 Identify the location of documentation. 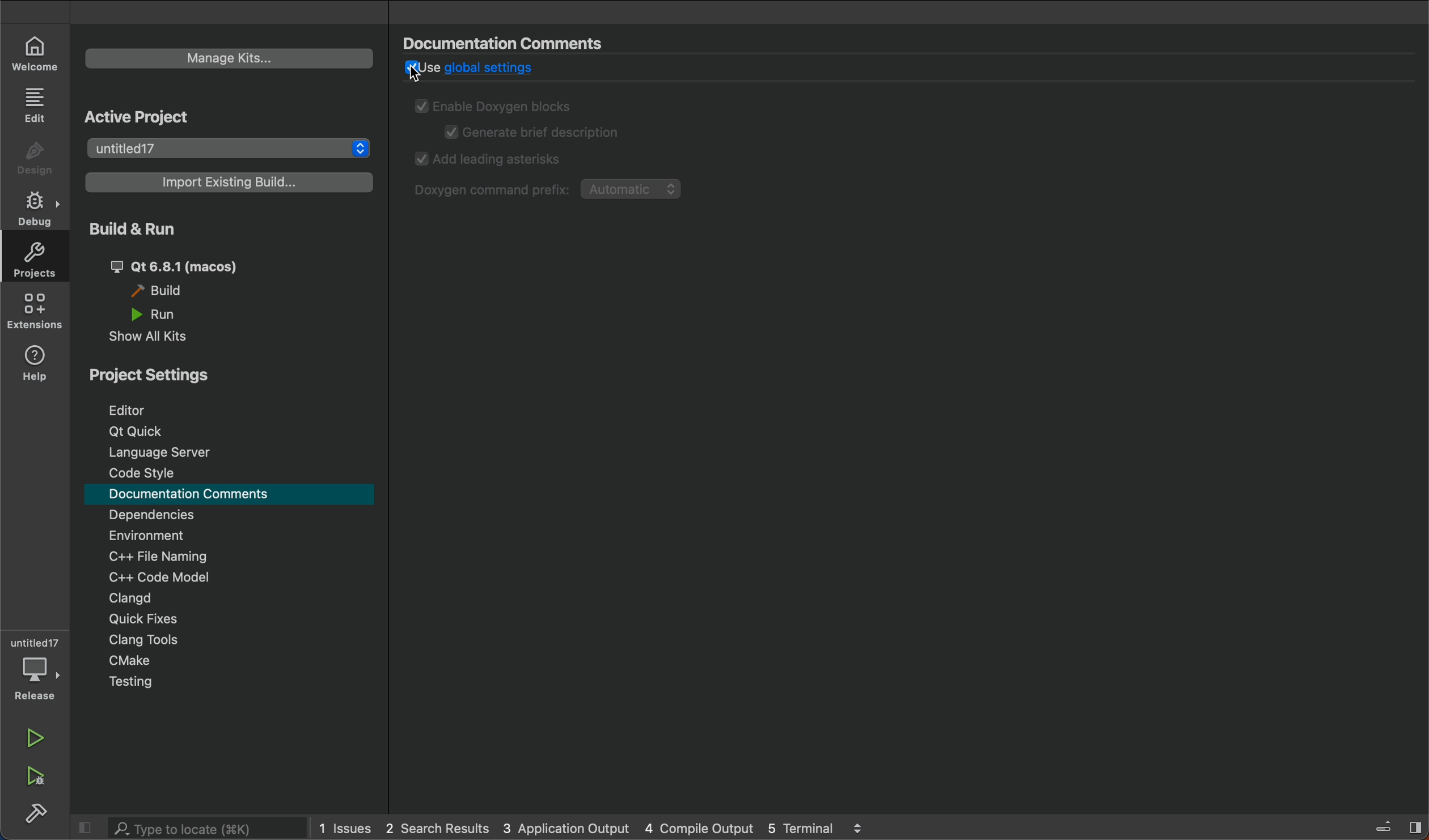
(196, 495).